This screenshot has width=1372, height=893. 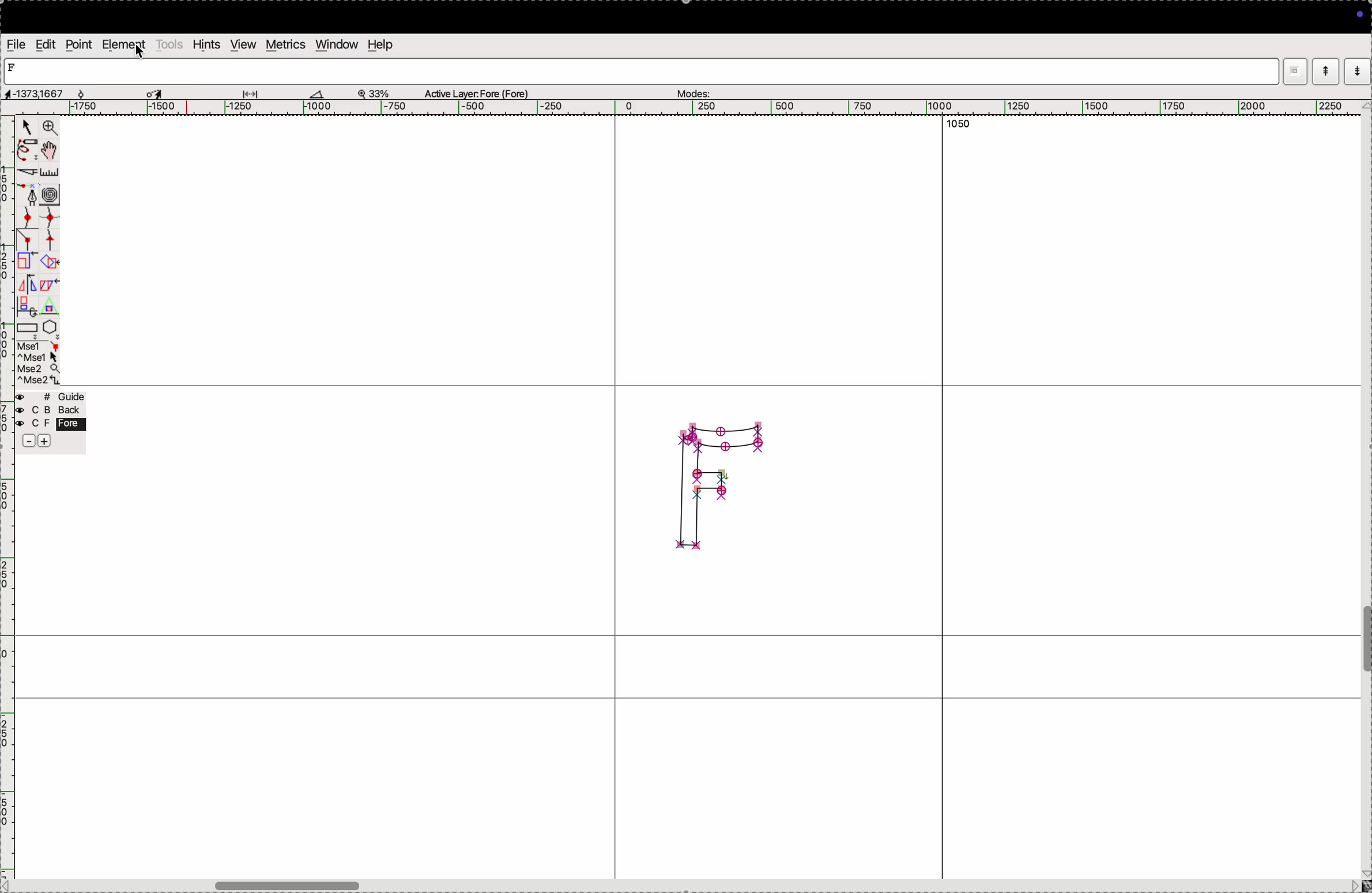 What do you see at coordinates (337, 44) in the screenshot?
I see `window` at bounding box center [337, 44].